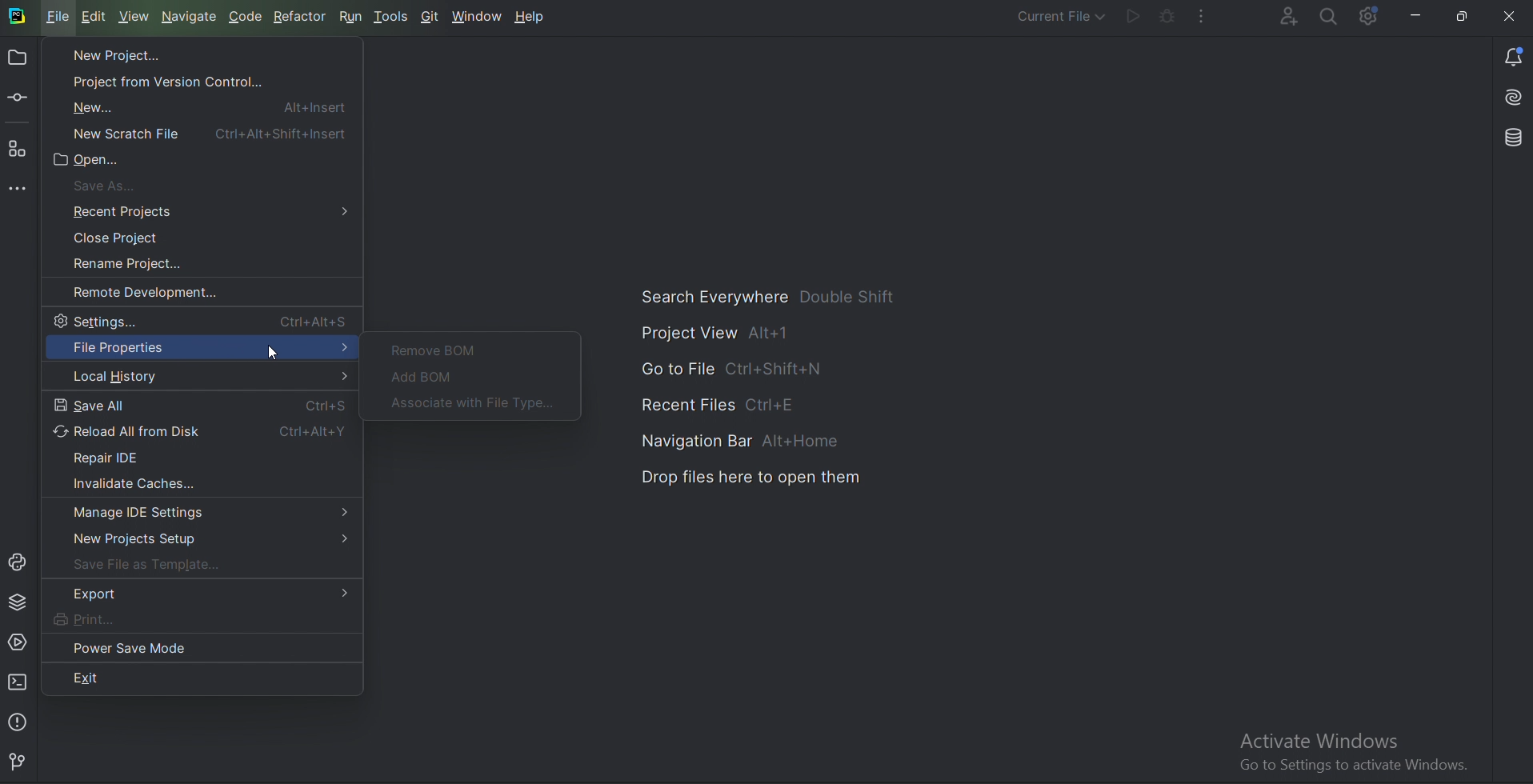 The image size is (1533, 784). Describe the element at coordinates (127, 238) in the screenshot. I see `Close project` at that location.